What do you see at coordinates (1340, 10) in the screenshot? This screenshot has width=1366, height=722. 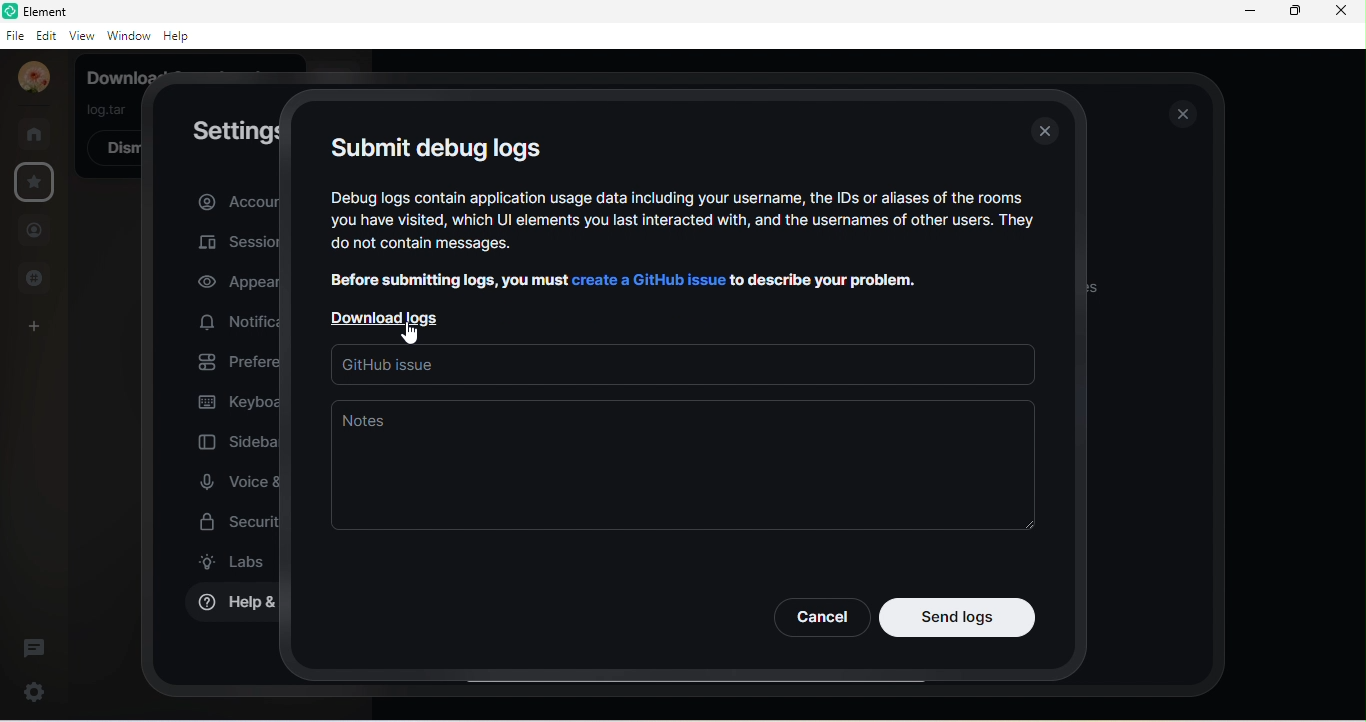 I see `close` at bounding box center [1340, 10].